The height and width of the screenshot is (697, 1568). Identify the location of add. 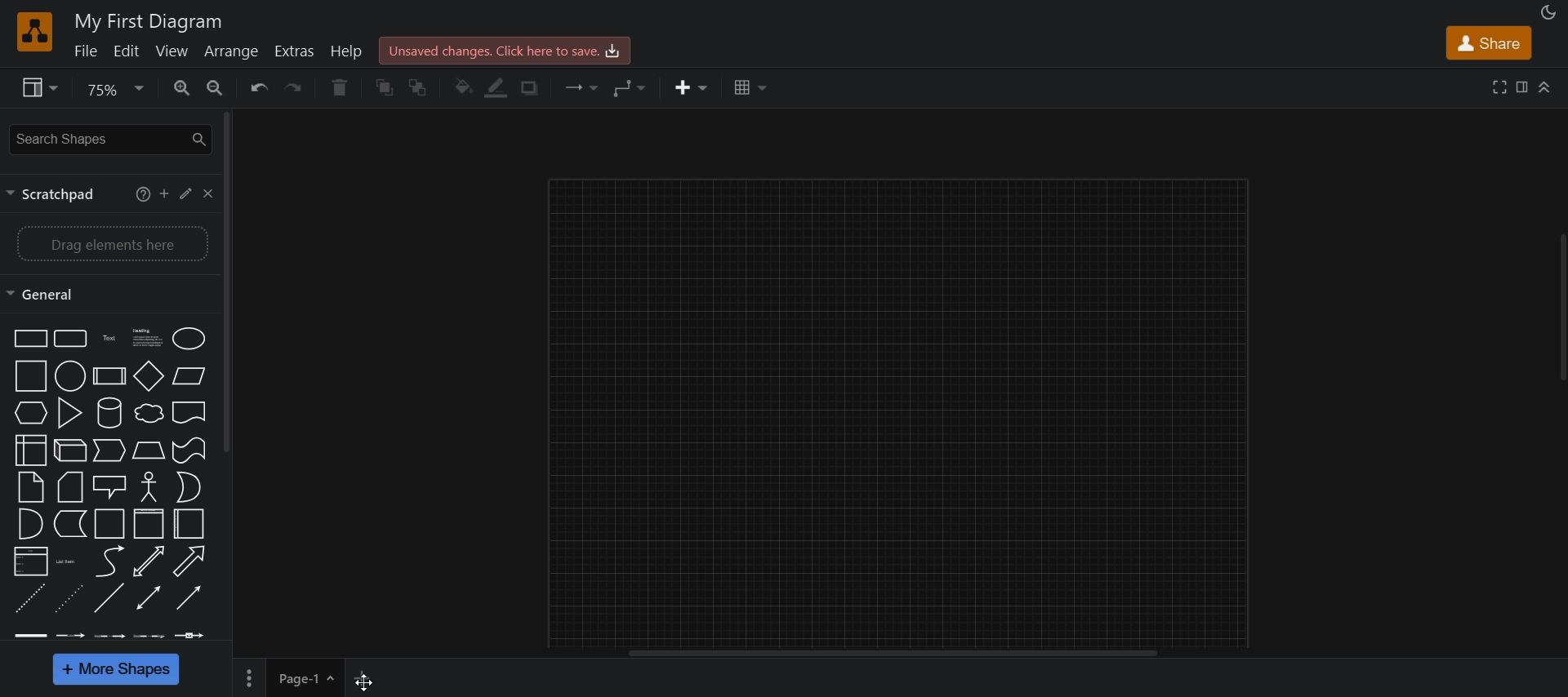
(166, 195).